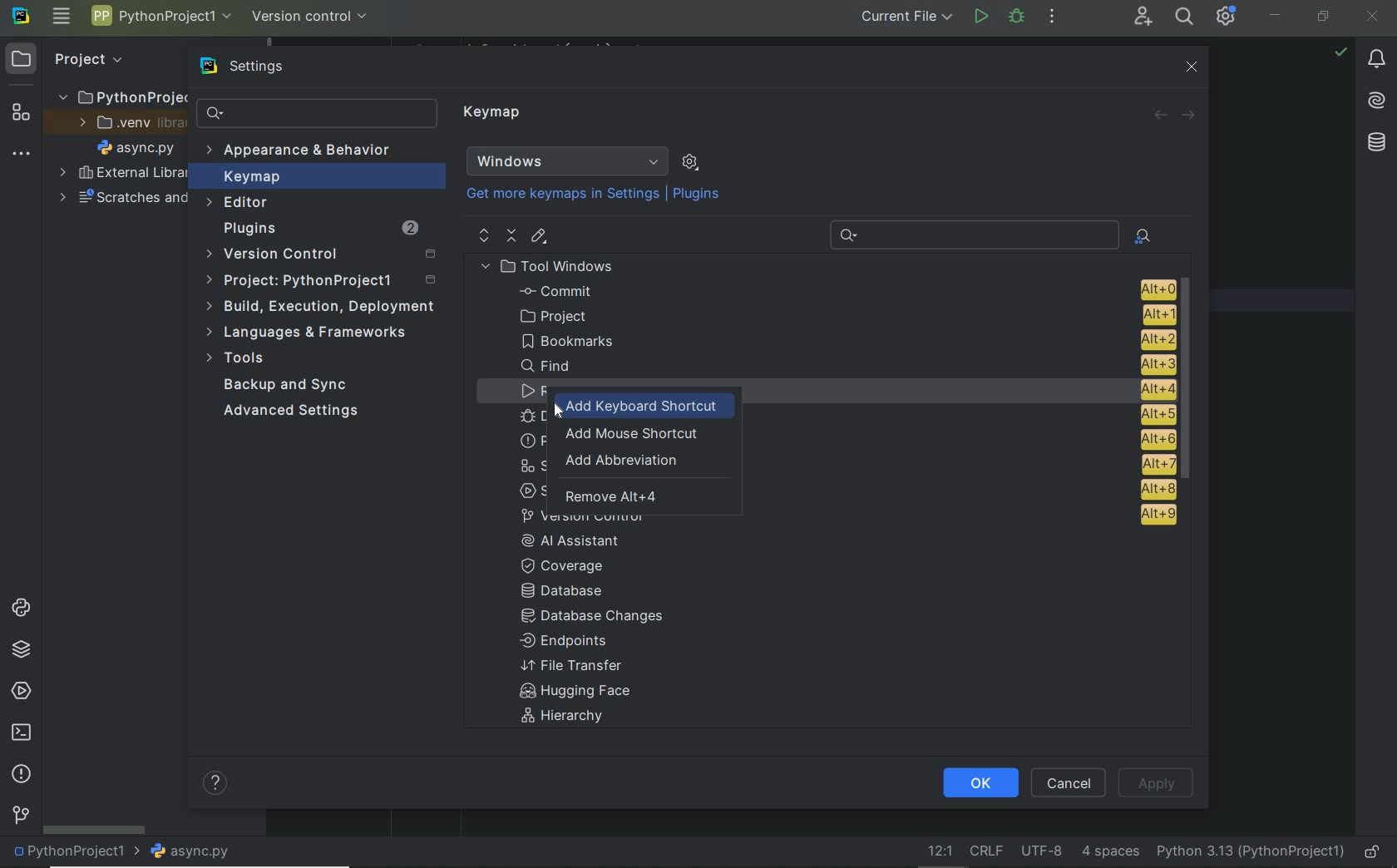 The image size is (1397, 868). Describe the element at coordinates (1043, 852) in the screenshot. I see `File Encoding` at that location.